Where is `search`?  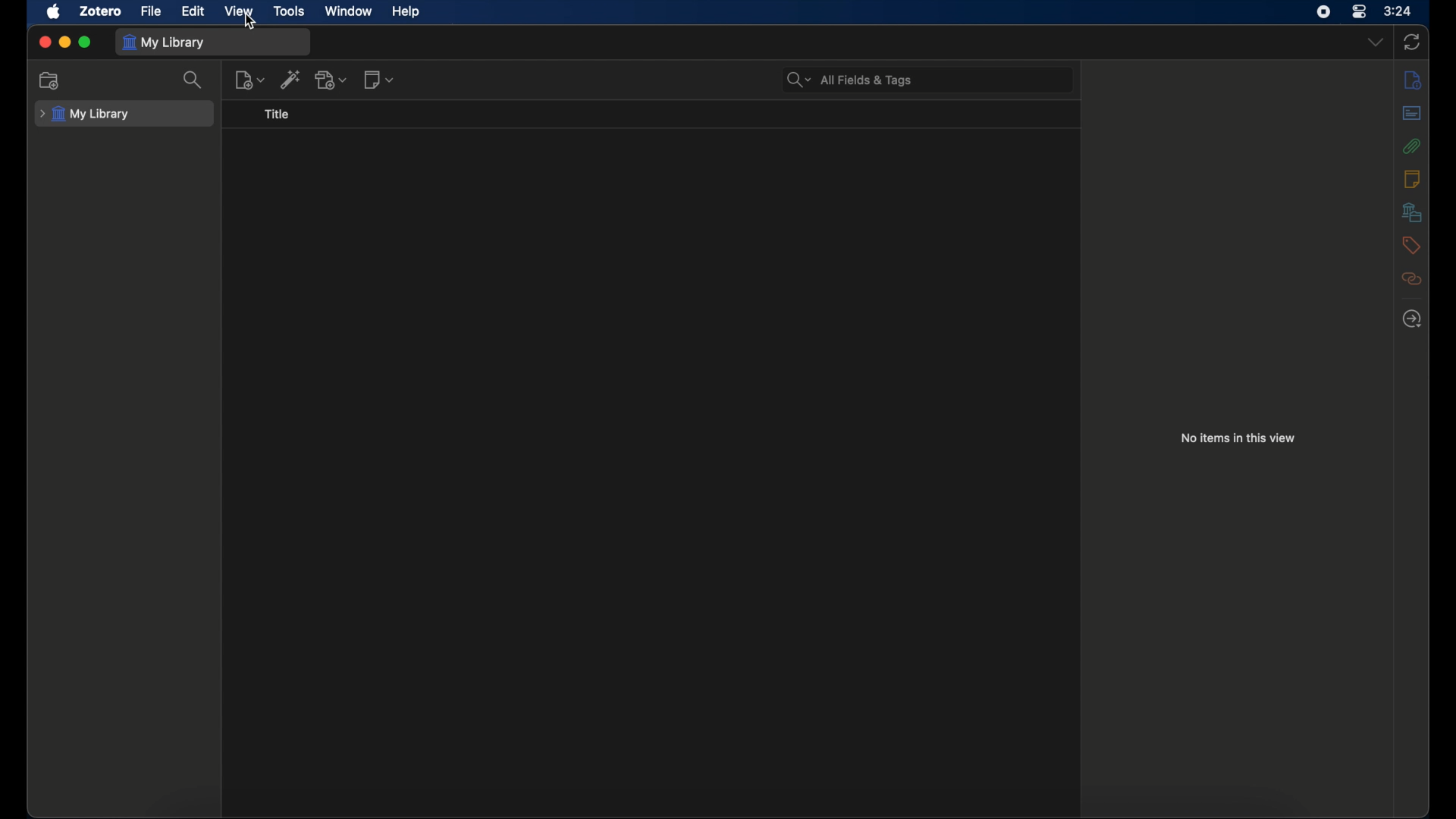
search is located at coordinates (194, 80).